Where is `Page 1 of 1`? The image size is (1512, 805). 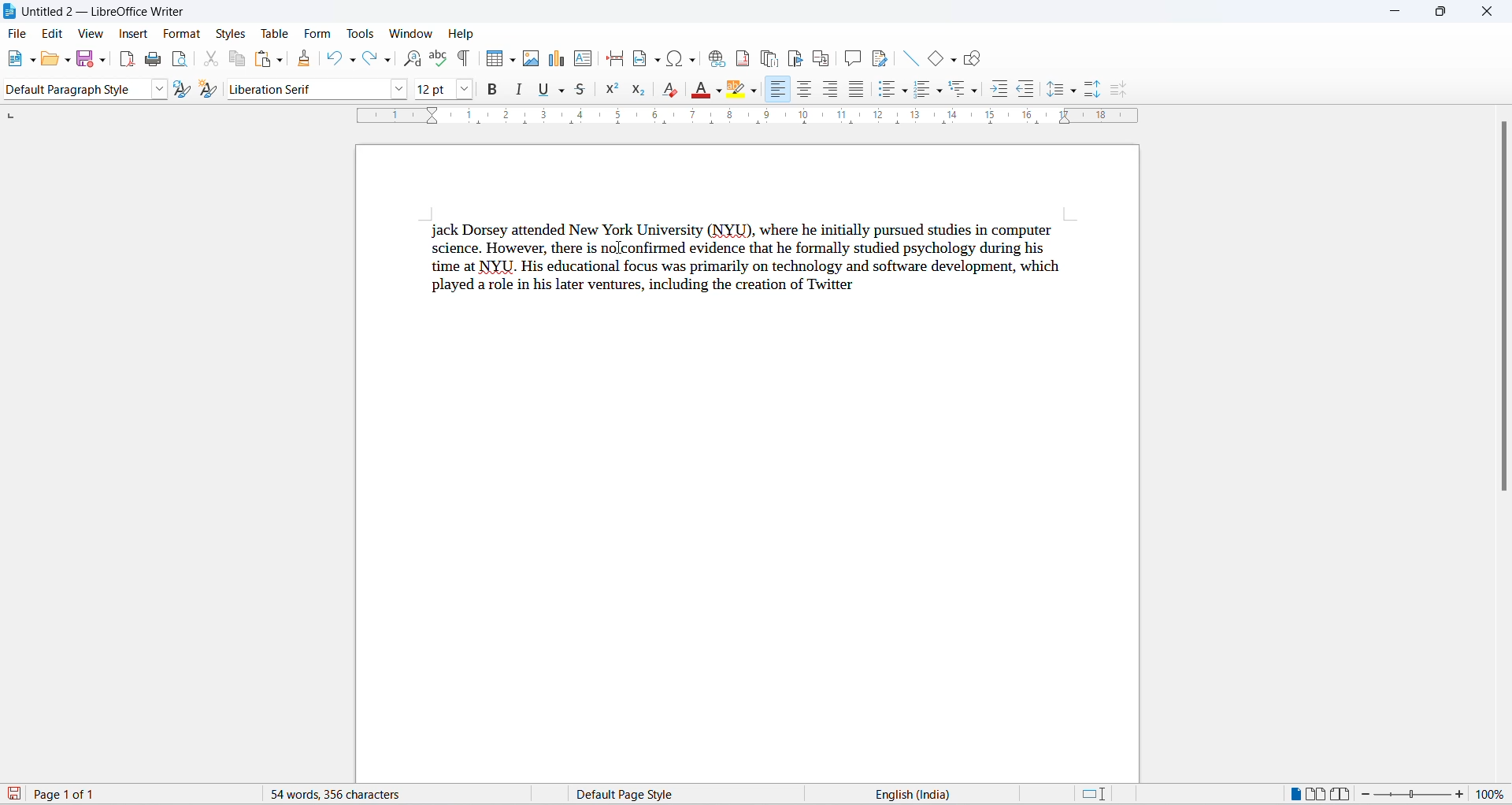
Page 1 of 1 is located at coordinates (57, 794).